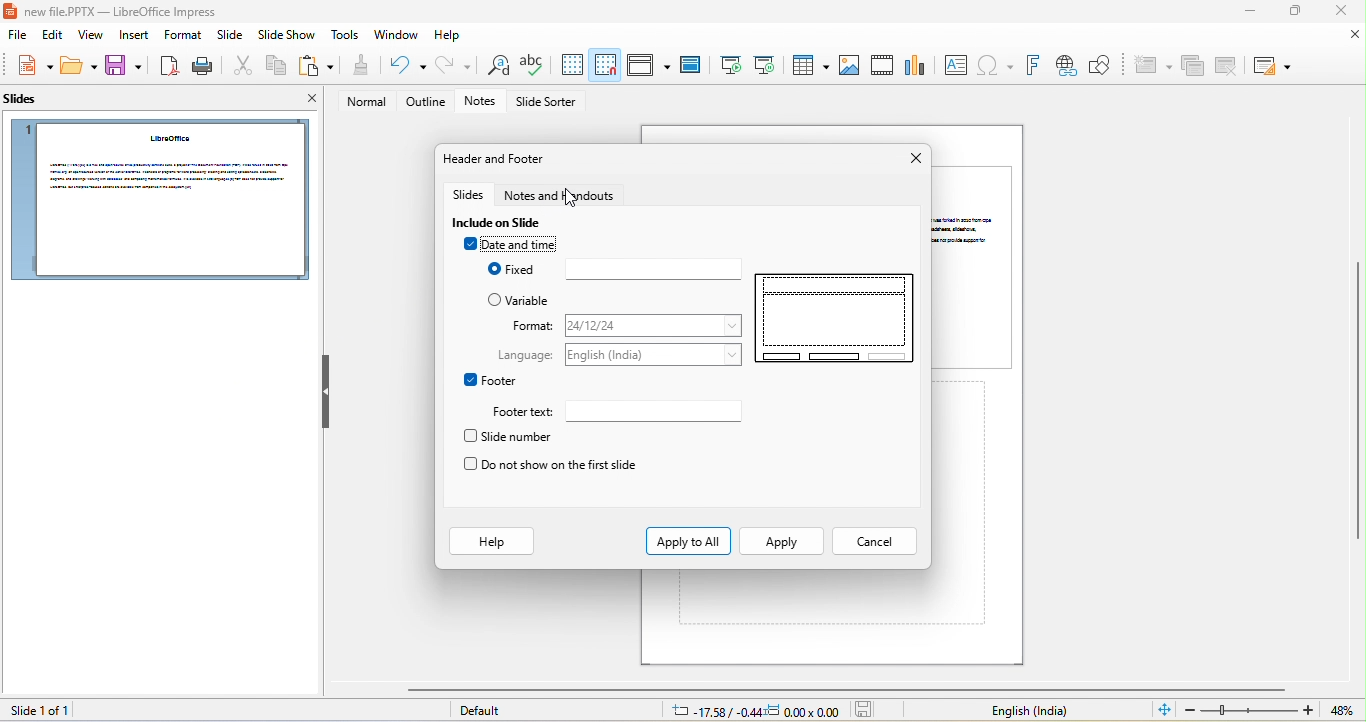 The image size is (1366, 722). What do you see at coordinates (426, 102) in the screenshot?
I see `outline` at bounding box center [426, 102].